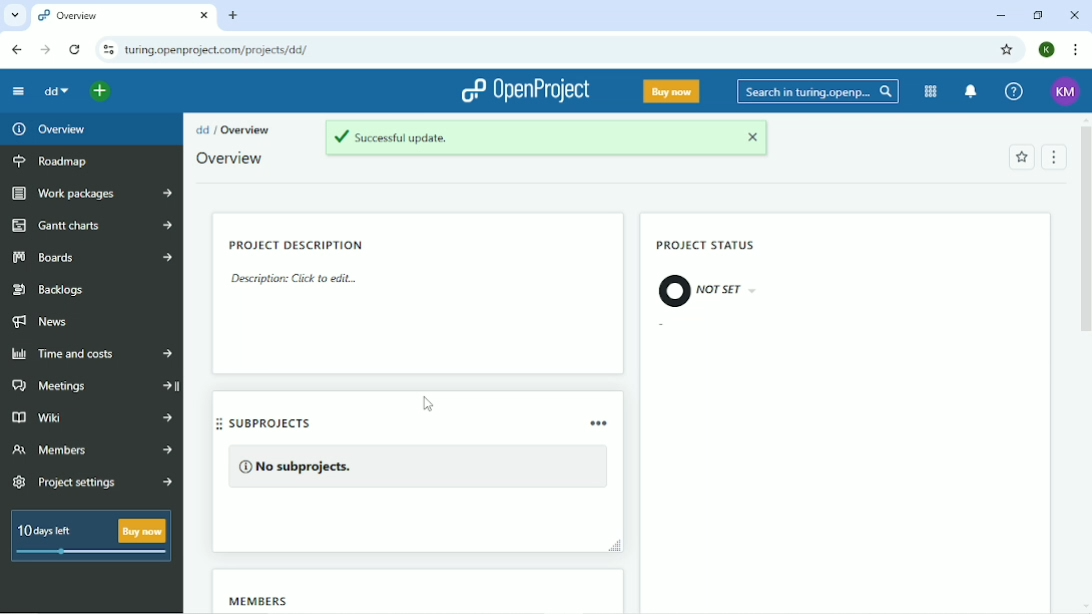 The height and width of the screenshot is (614, 1092). I want to click on Roadmap, so click(55, 159).